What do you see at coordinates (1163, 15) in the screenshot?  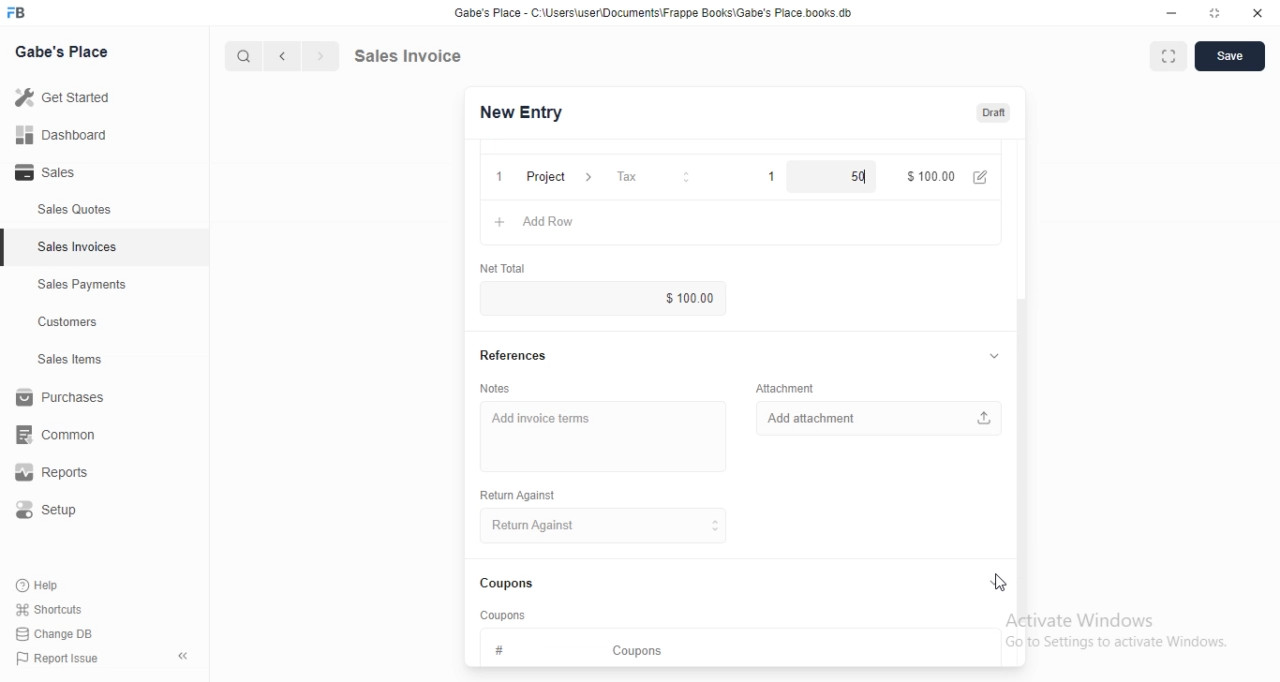 I see `minimize` at bounding box center [1163, 15].